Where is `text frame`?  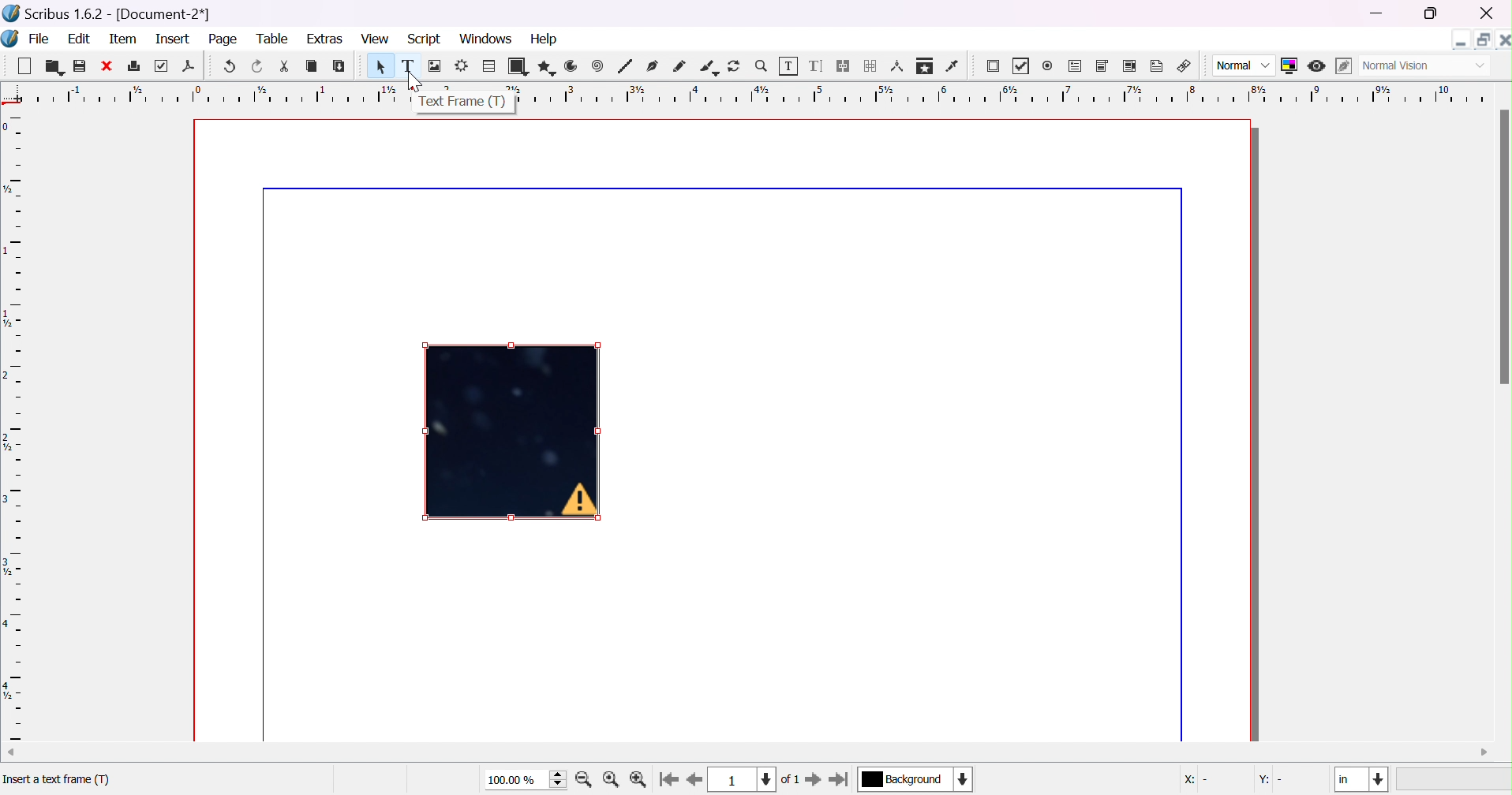 text frame is located at coordinates (462, 102).